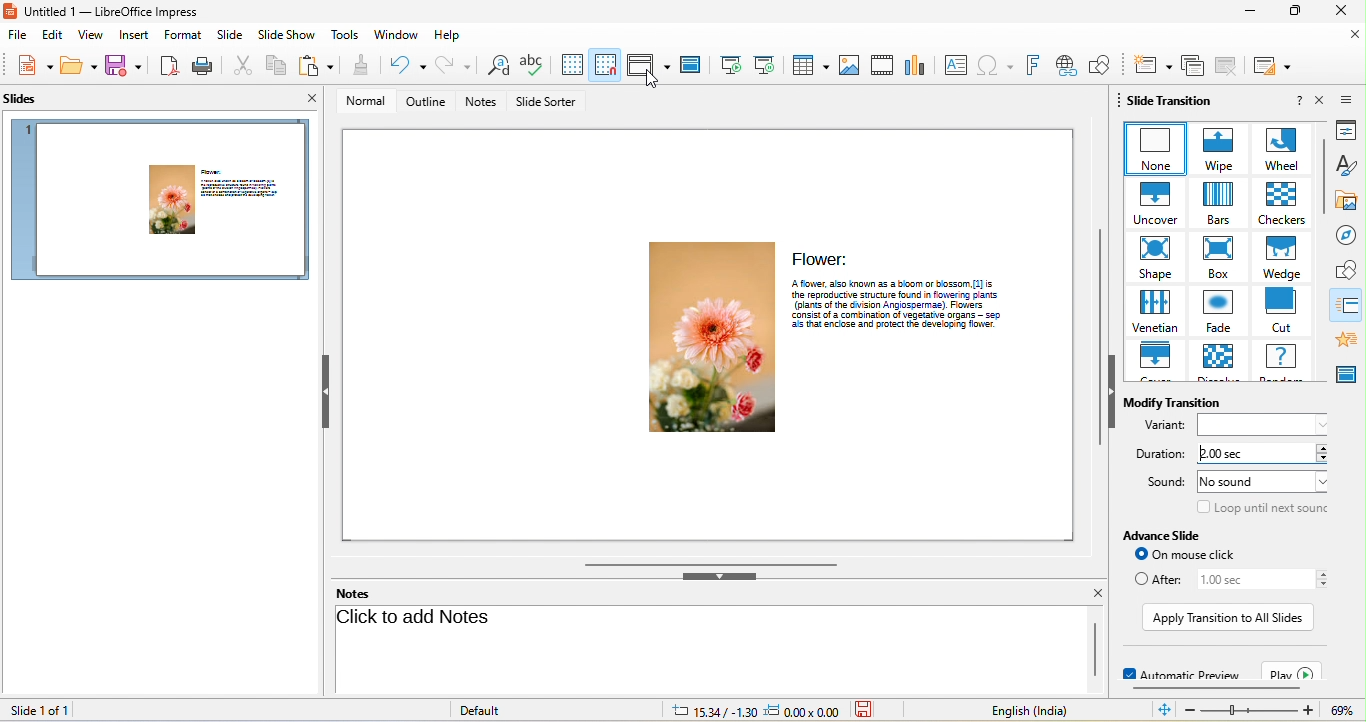  Describe the element at coordinates (1097, 593) in the screenshot. I see `close notes` at that location.